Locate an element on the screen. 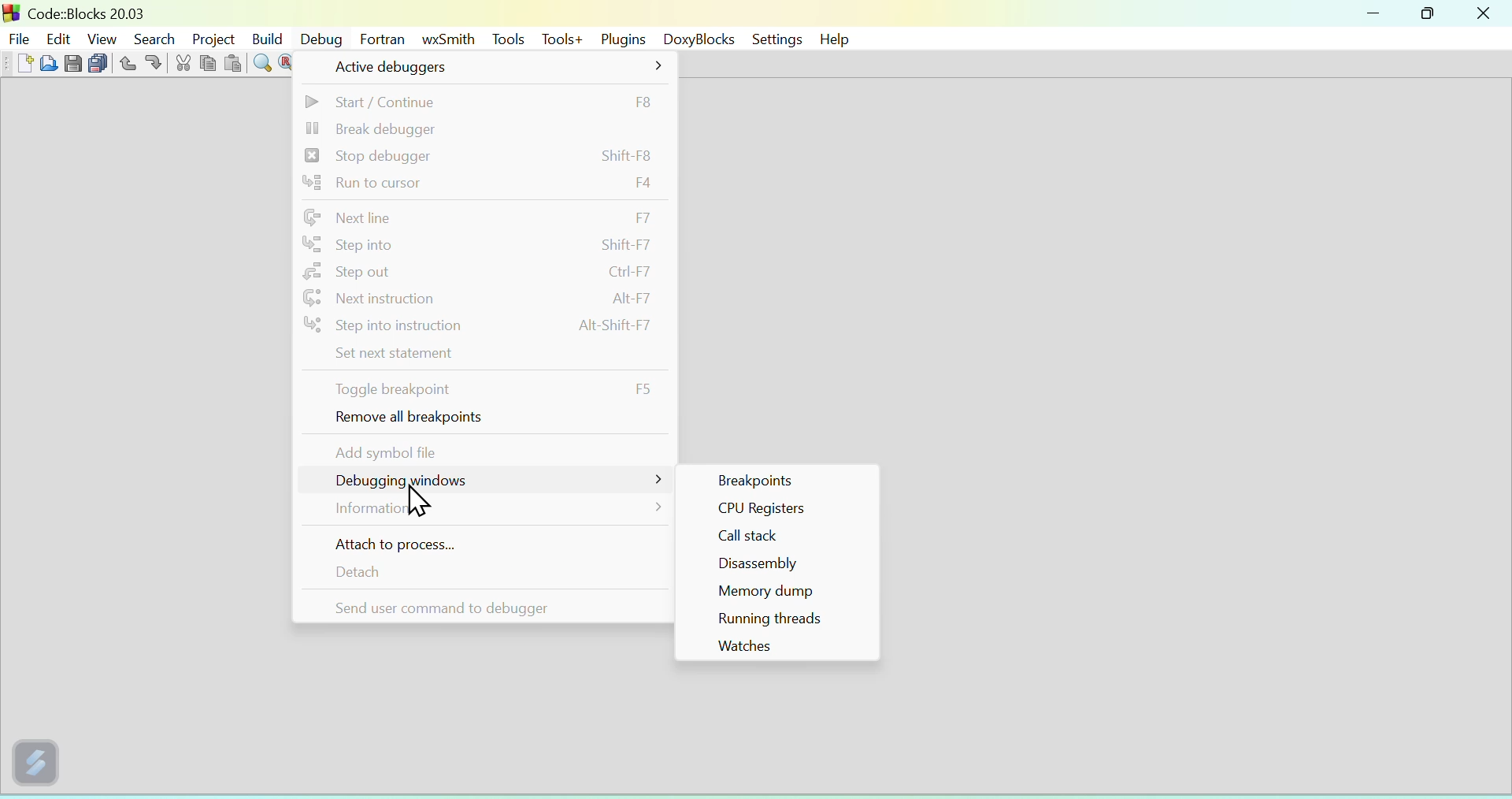 The image size is (1512, 799). new file is located at coordinates (22, 63).